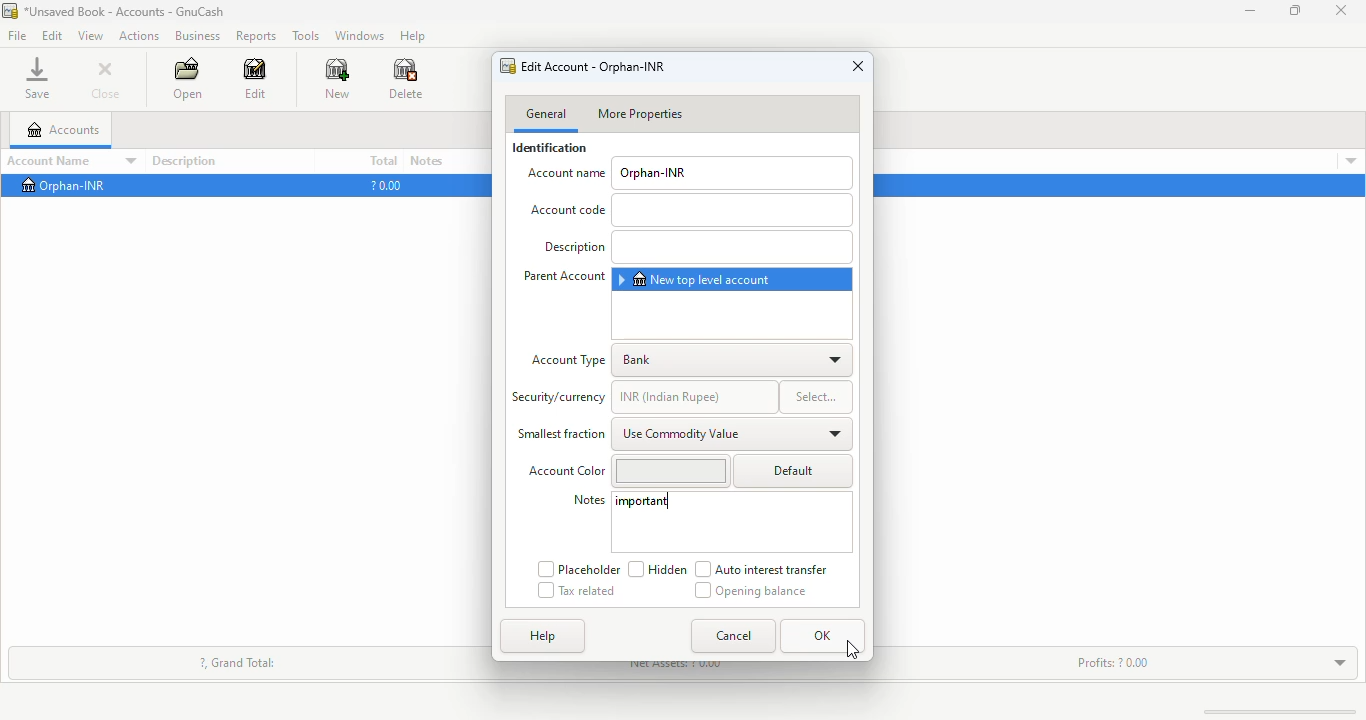 Image resolution: width=1366 pixels, height=720 pixels. What do you see at coordinates (1351, 162) in the screenshot?
I see `account details` at bounding box center [1351, 162].